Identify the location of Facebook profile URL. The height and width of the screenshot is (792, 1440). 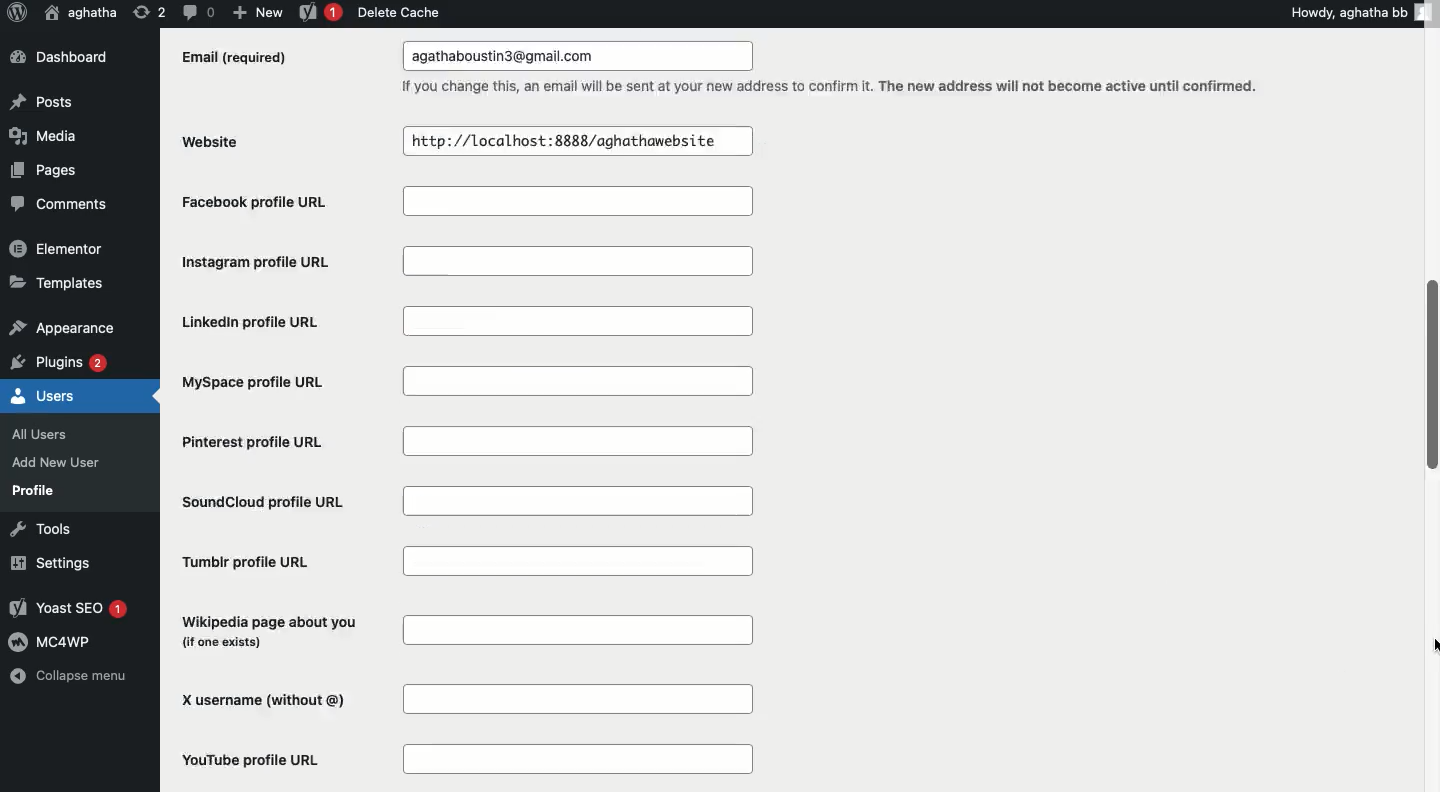
(471, 203).